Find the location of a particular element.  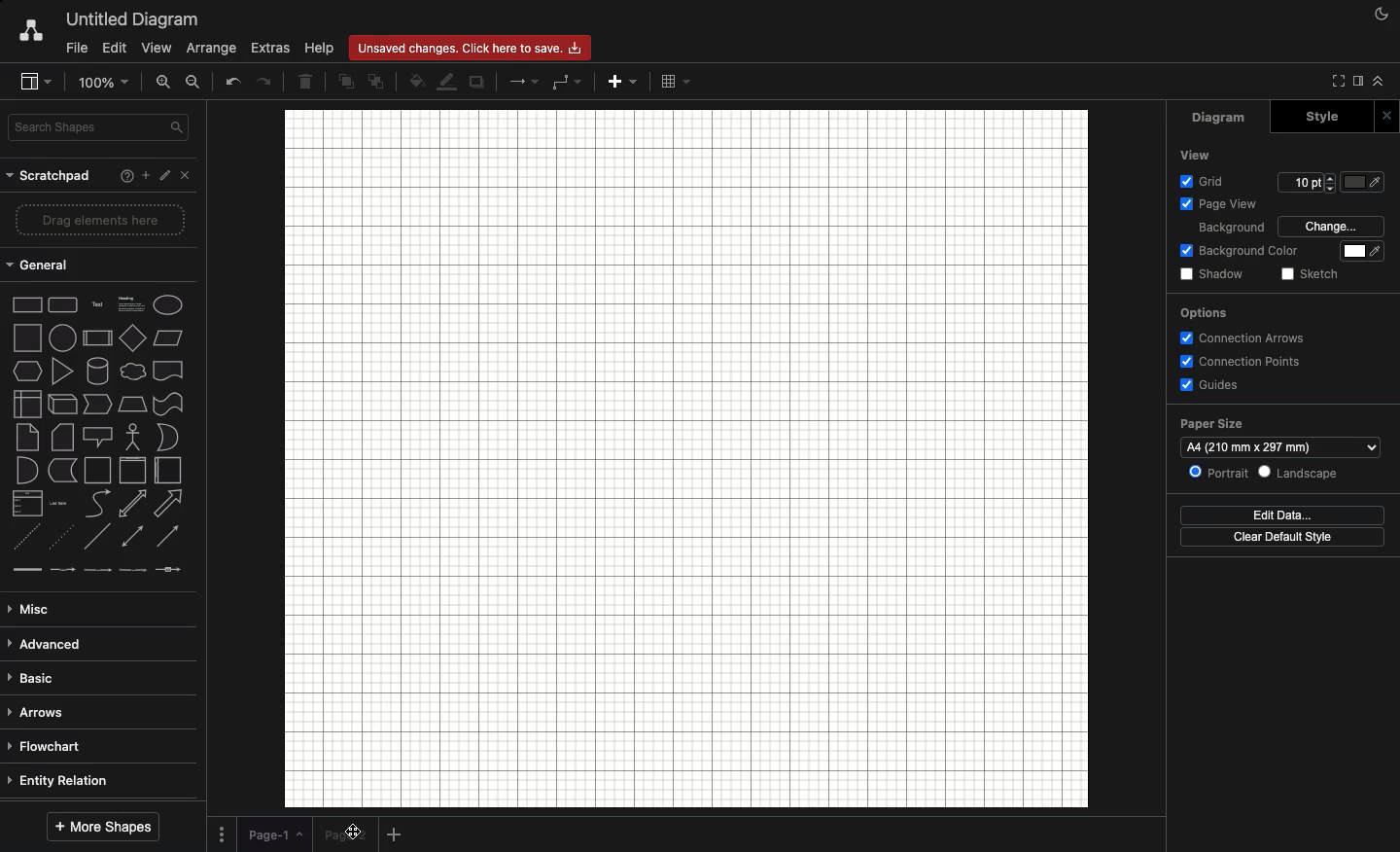

Guides  is located at coordinates (1208, 383).